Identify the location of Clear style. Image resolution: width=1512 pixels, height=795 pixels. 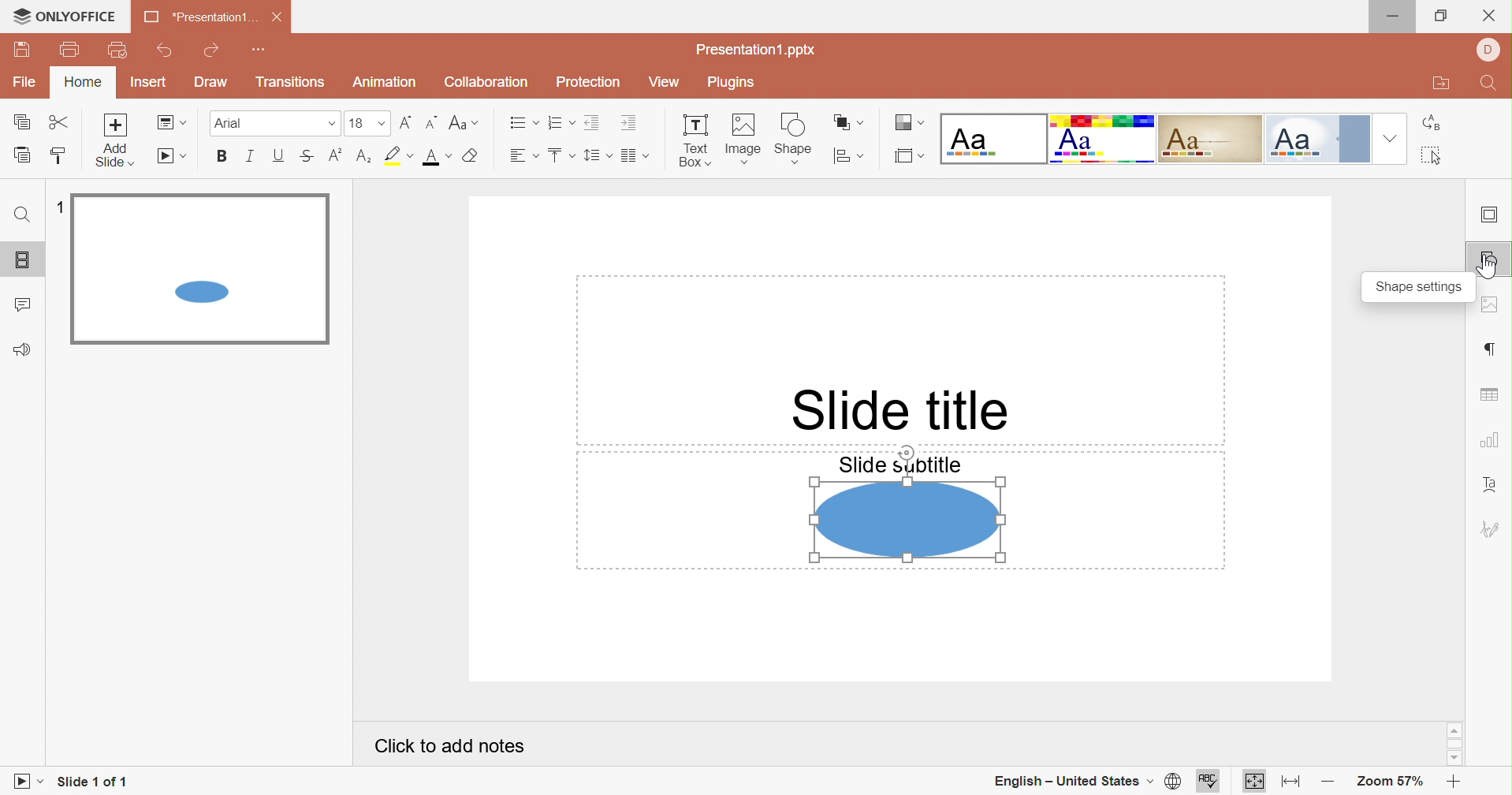
(473, 156).